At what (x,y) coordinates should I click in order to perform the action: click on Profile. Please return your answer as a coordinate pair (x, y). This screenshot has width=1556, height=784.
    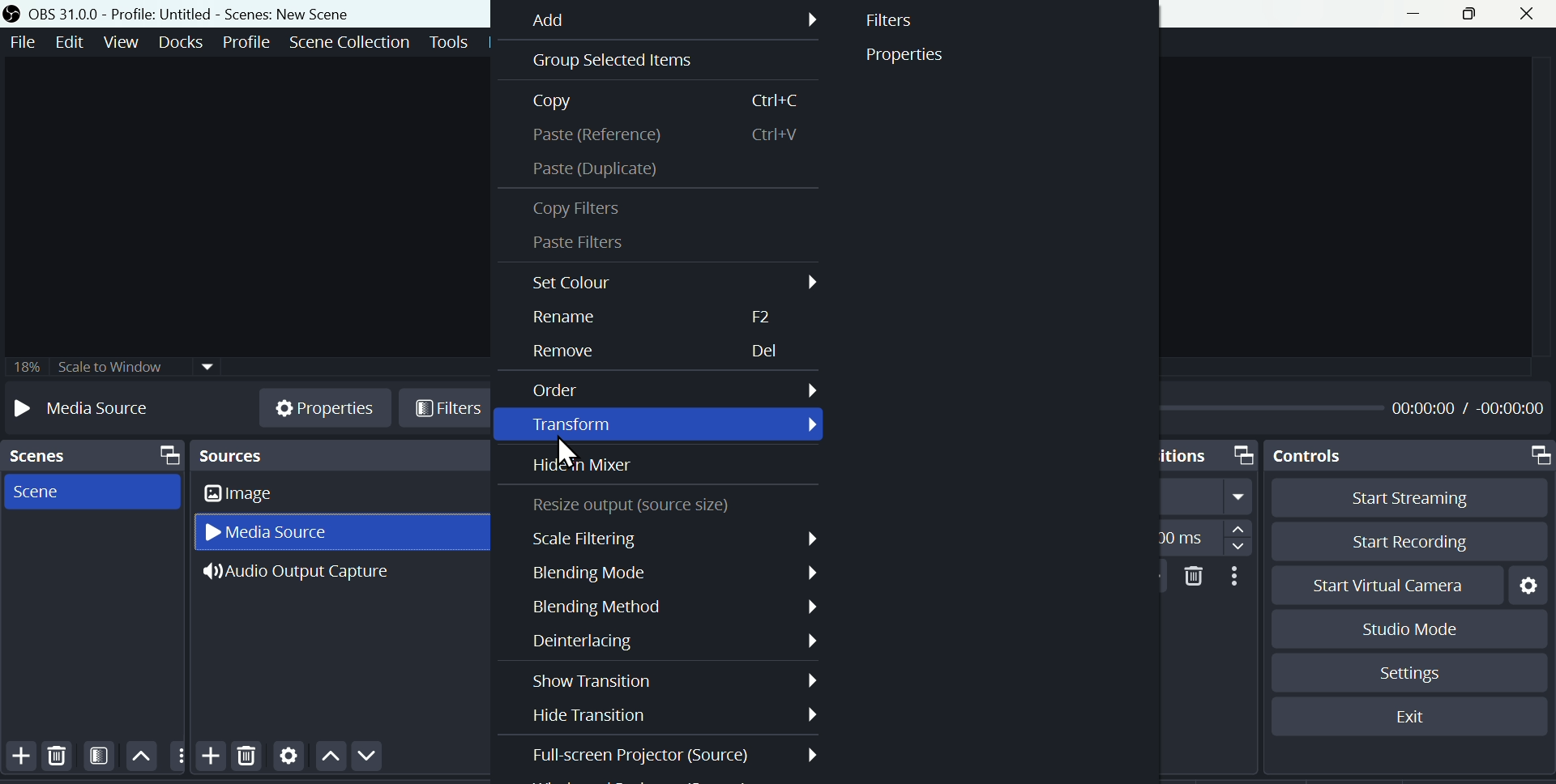
    Looking at the image, I should click on (242, 41).